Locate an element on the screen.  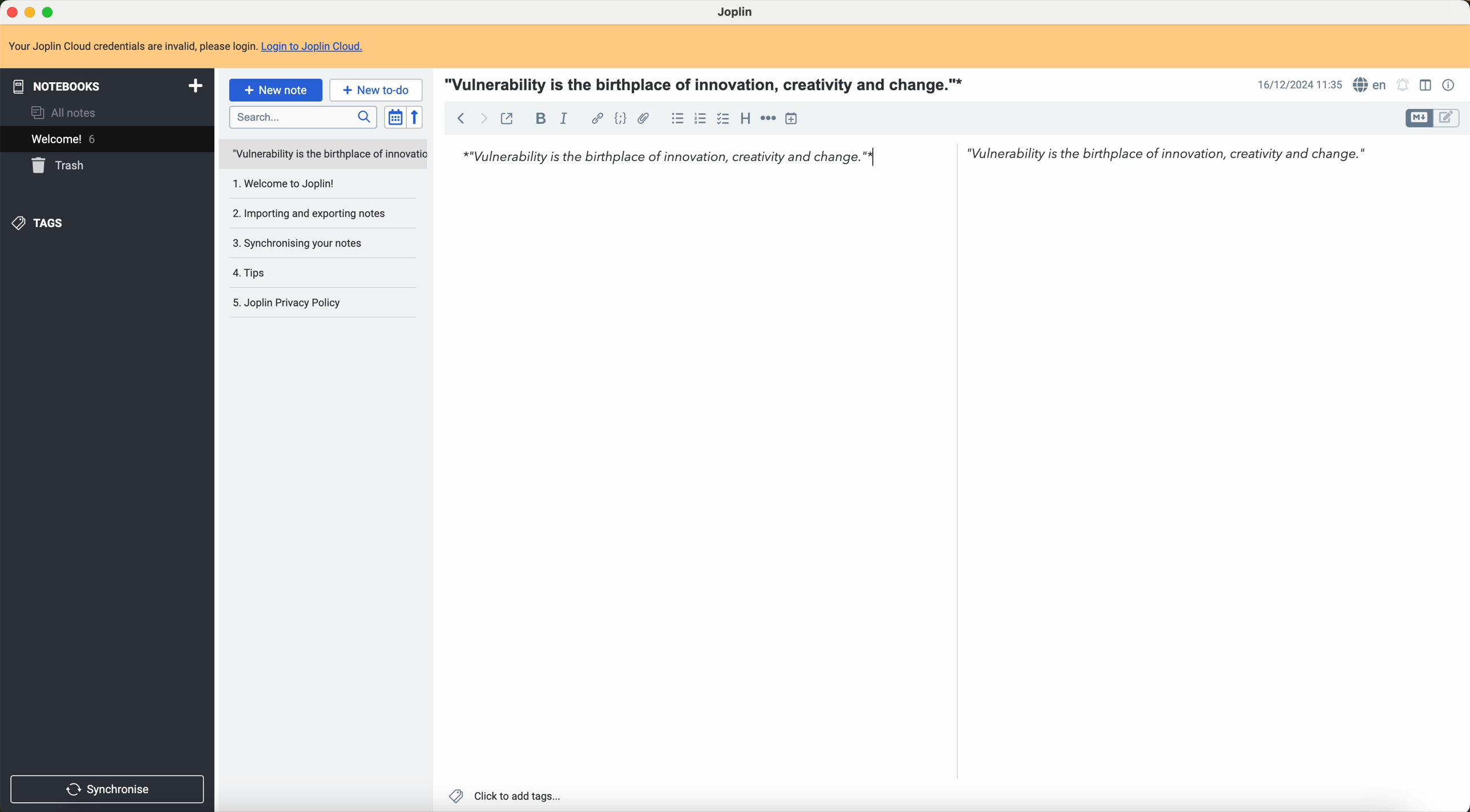
click to add tags is located at coordinates (506, 795).